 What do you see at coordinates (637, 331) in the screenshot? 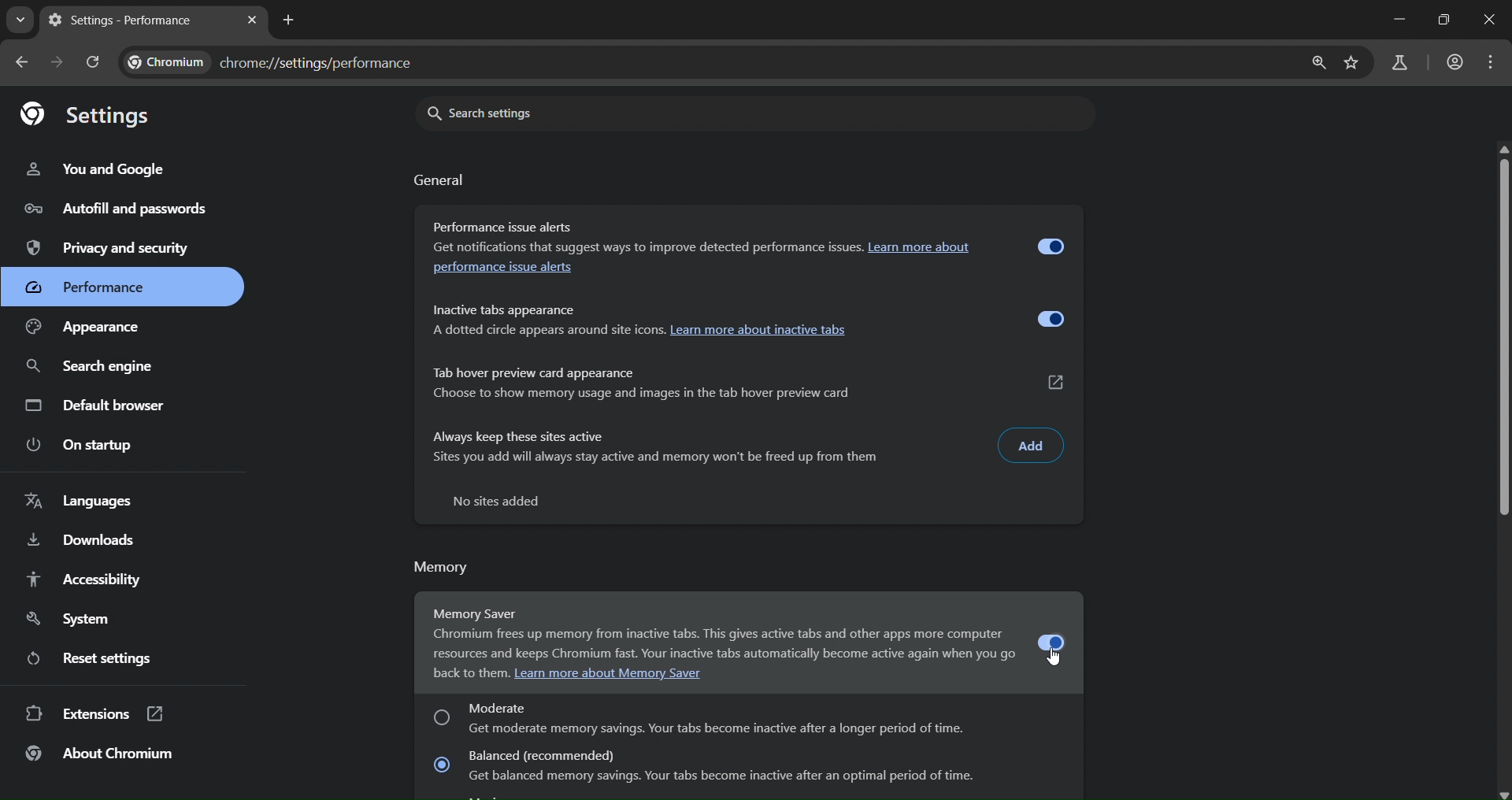
I see `about inactive tabs appearance` at bounding box center [637, 331].